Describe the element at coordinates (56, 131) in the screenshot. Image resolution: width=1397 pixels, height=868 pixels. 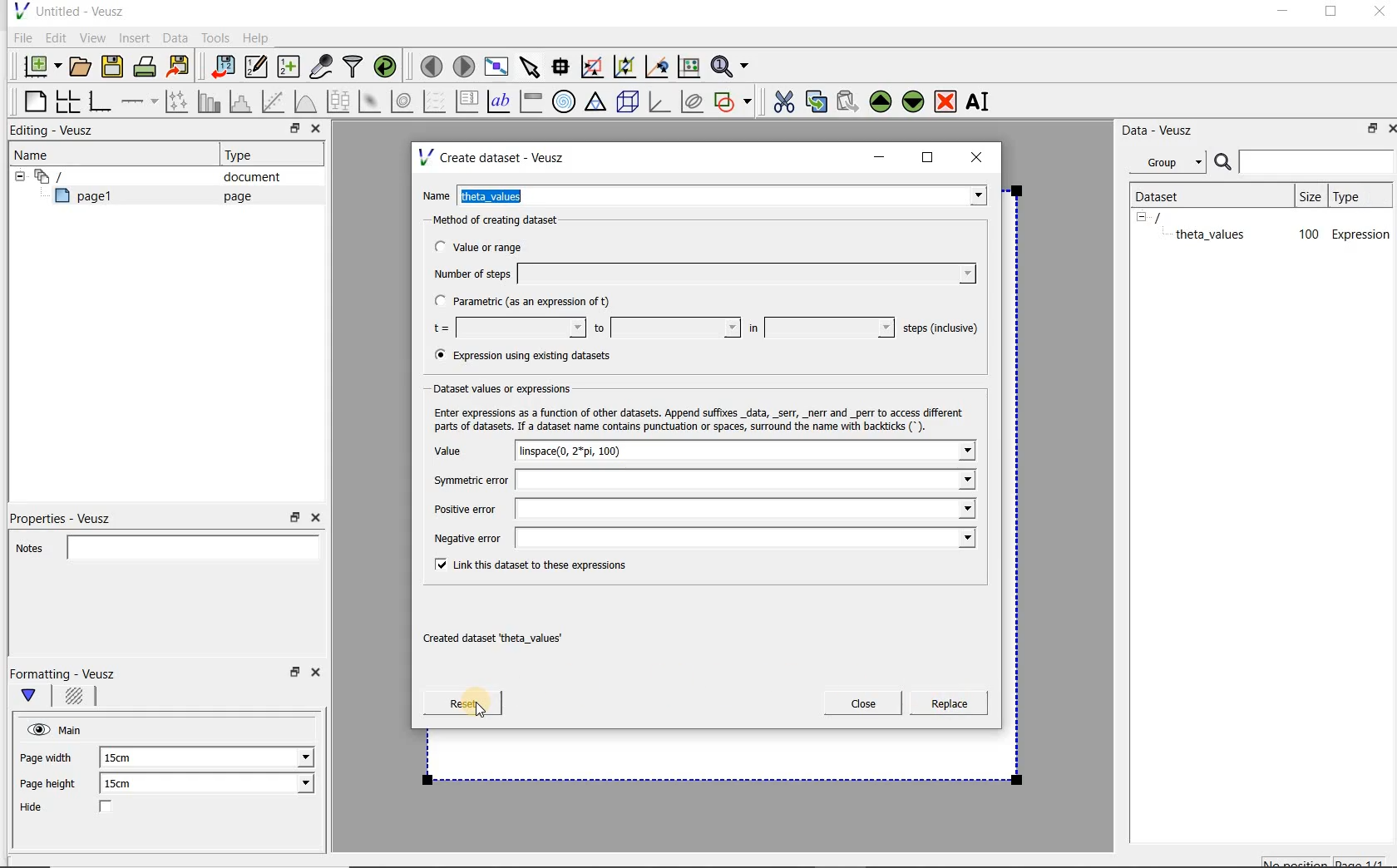
I see `Editing - Veusz` at that location.